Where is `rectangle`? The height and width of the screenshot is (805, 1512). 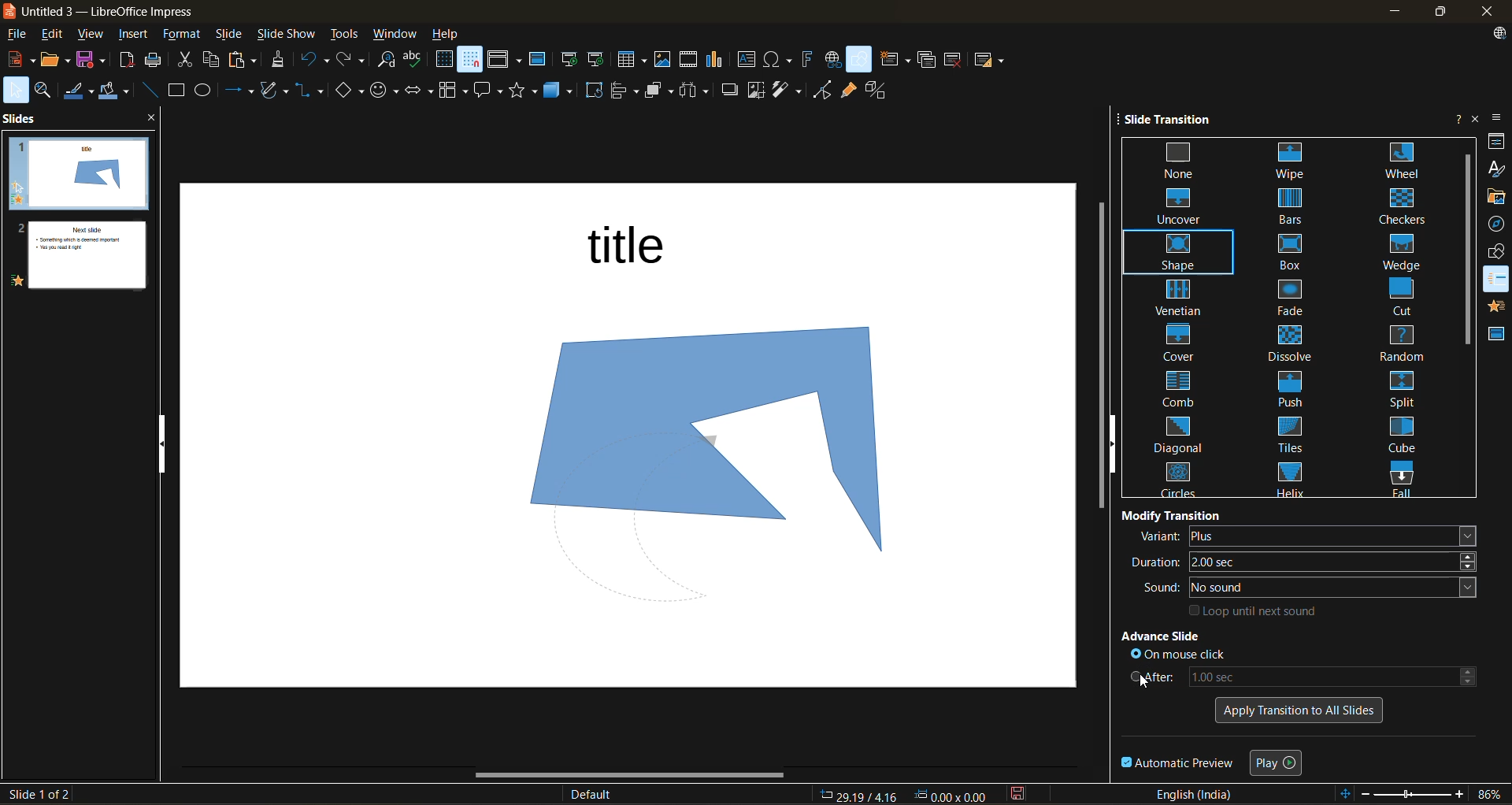
rectangle is located at coordinates (177, 91).